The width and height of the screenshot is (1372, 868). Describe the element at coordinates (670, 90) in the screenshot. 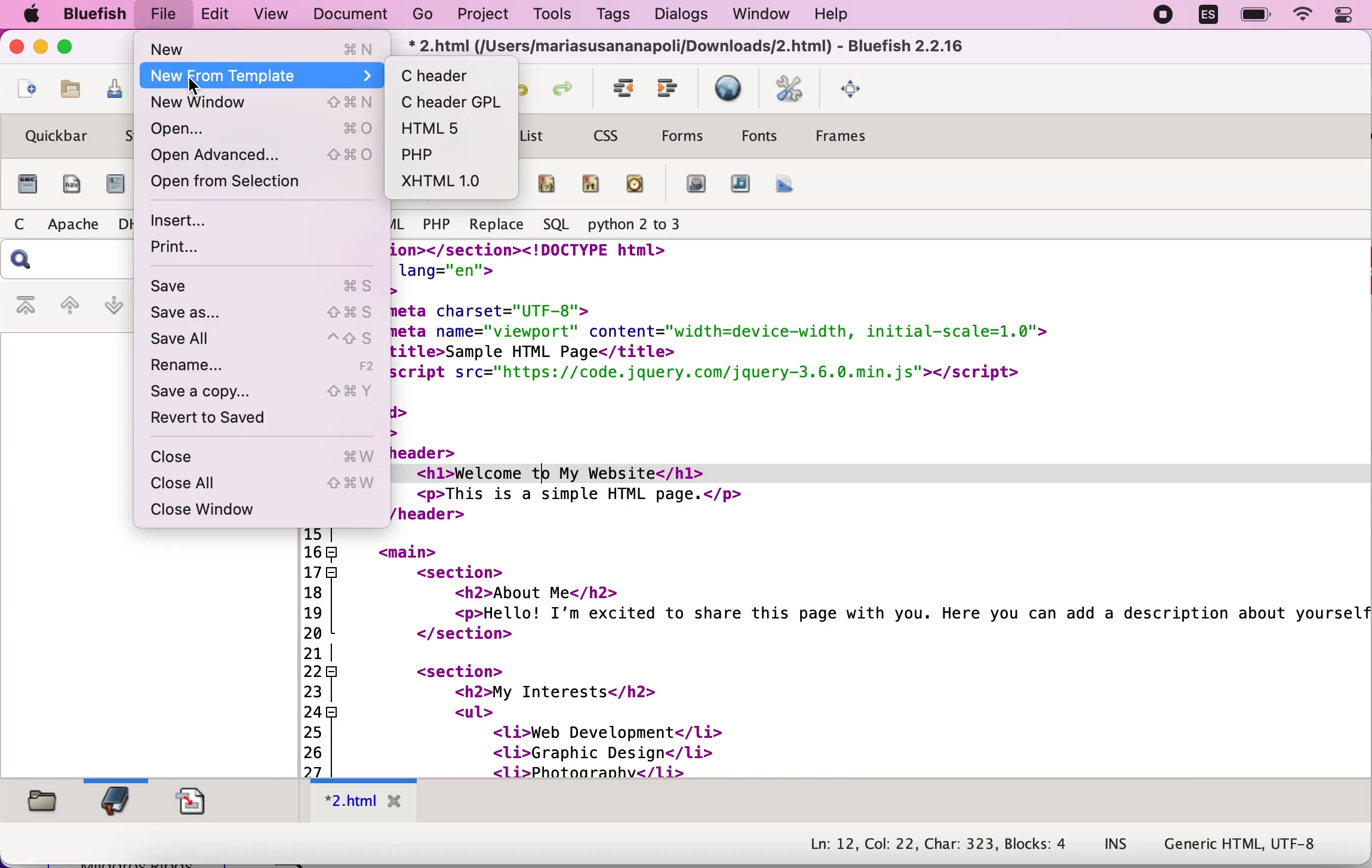

I see `unindent` at that location.